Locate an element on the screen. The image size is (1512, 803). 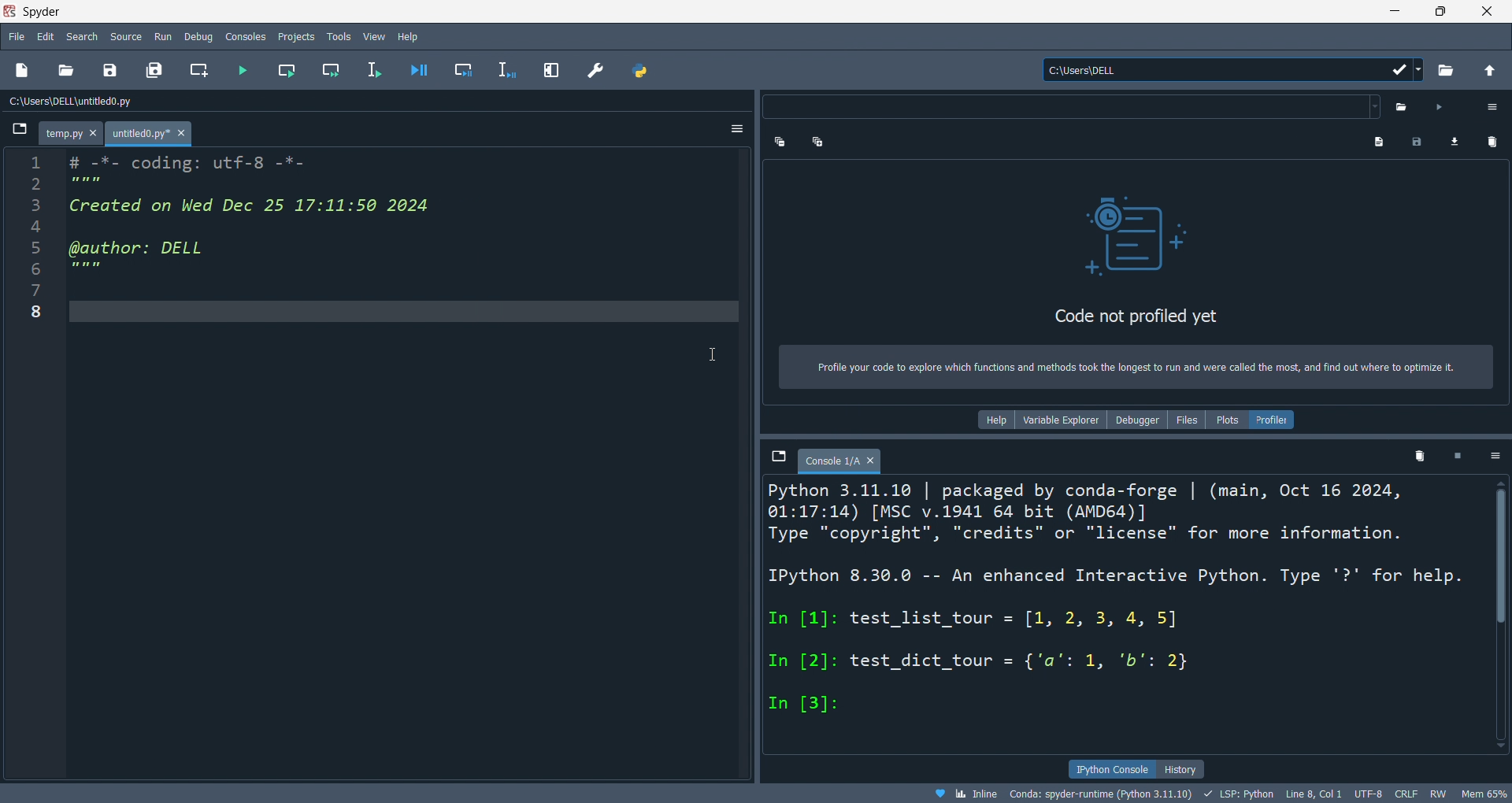
 Python 3.11.10 | packaged by conda-forge | (main, Oct 16 2024, 01:17:14) [MSC v.1941 64 bit (AMD64)] Type "copyright", "credits" or "license" for more information. IPython 8.30.0 -- An enhanced Interactive Python. Type '?' for help. In [1]: test_list_tour = [1, 2, 3, 4, 5] In [2]: test_dict_tour = {'a': 1, 'b': 2} In [3]: is located at coordinates (1123, 618).